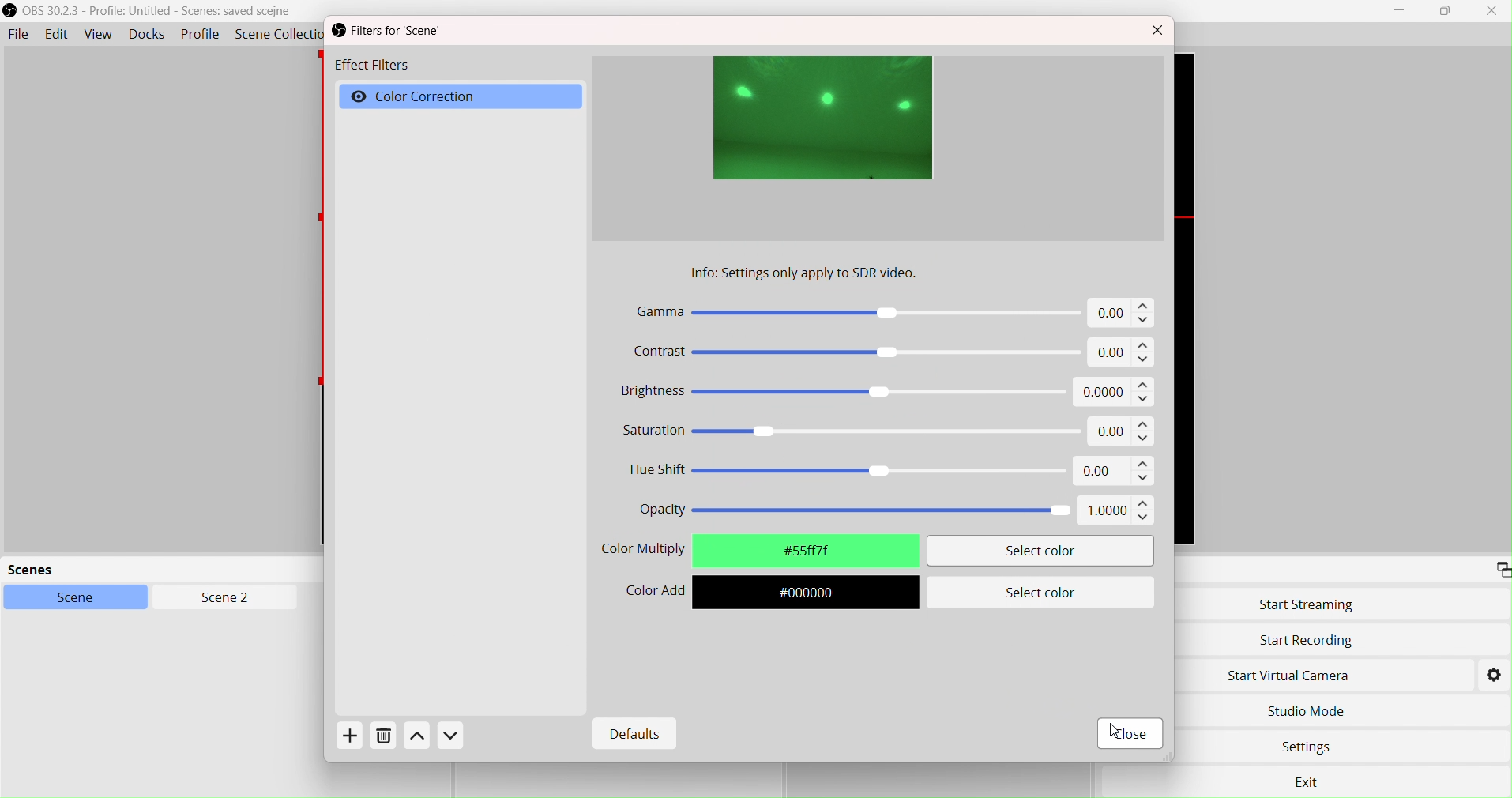  Describe the element at coordinates (1123, 313) in the screenshot. I see `0.00` at that location.